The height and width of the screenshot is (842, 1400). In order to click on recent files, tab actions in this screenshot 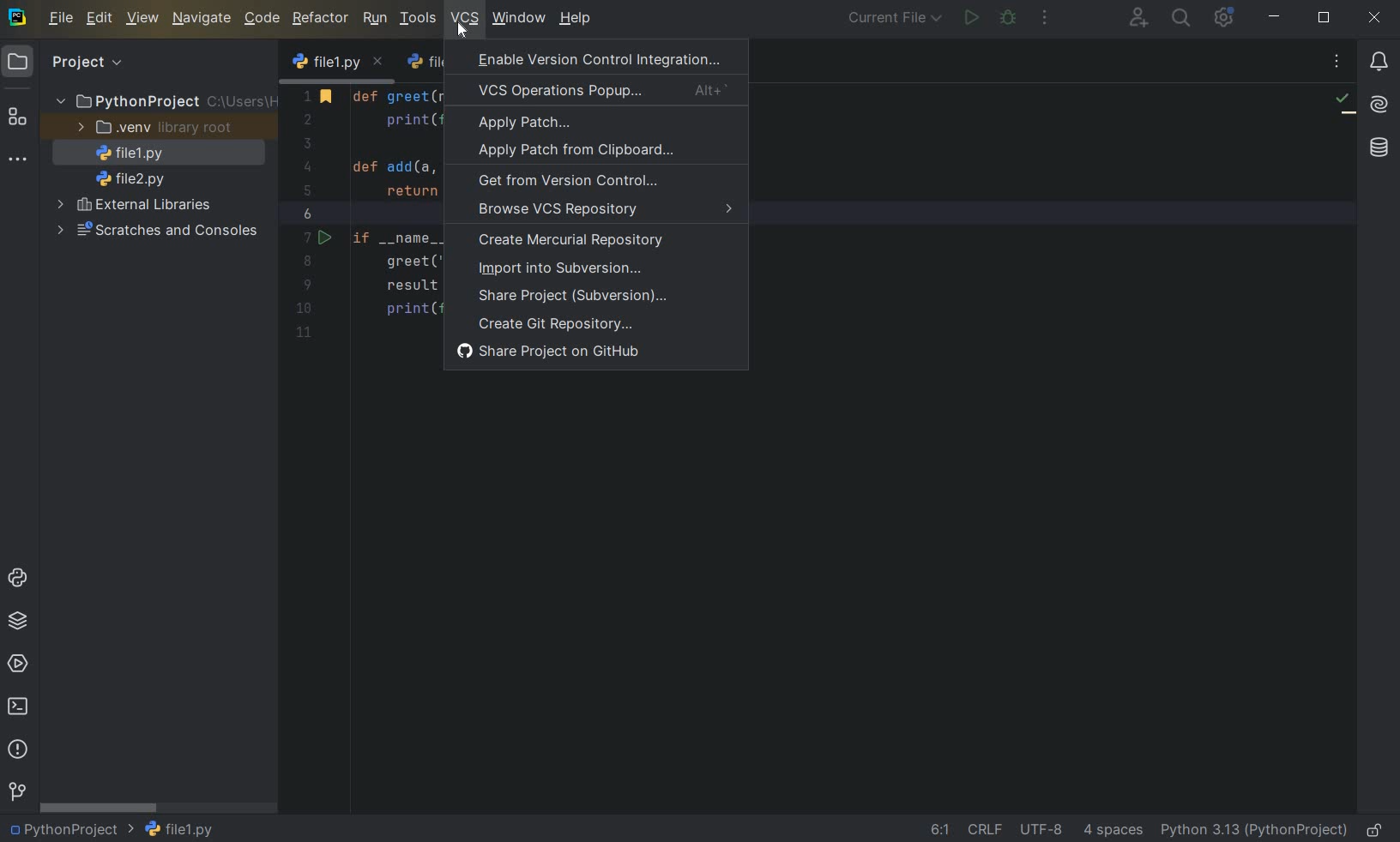, I will do `click(1338, 63)`.